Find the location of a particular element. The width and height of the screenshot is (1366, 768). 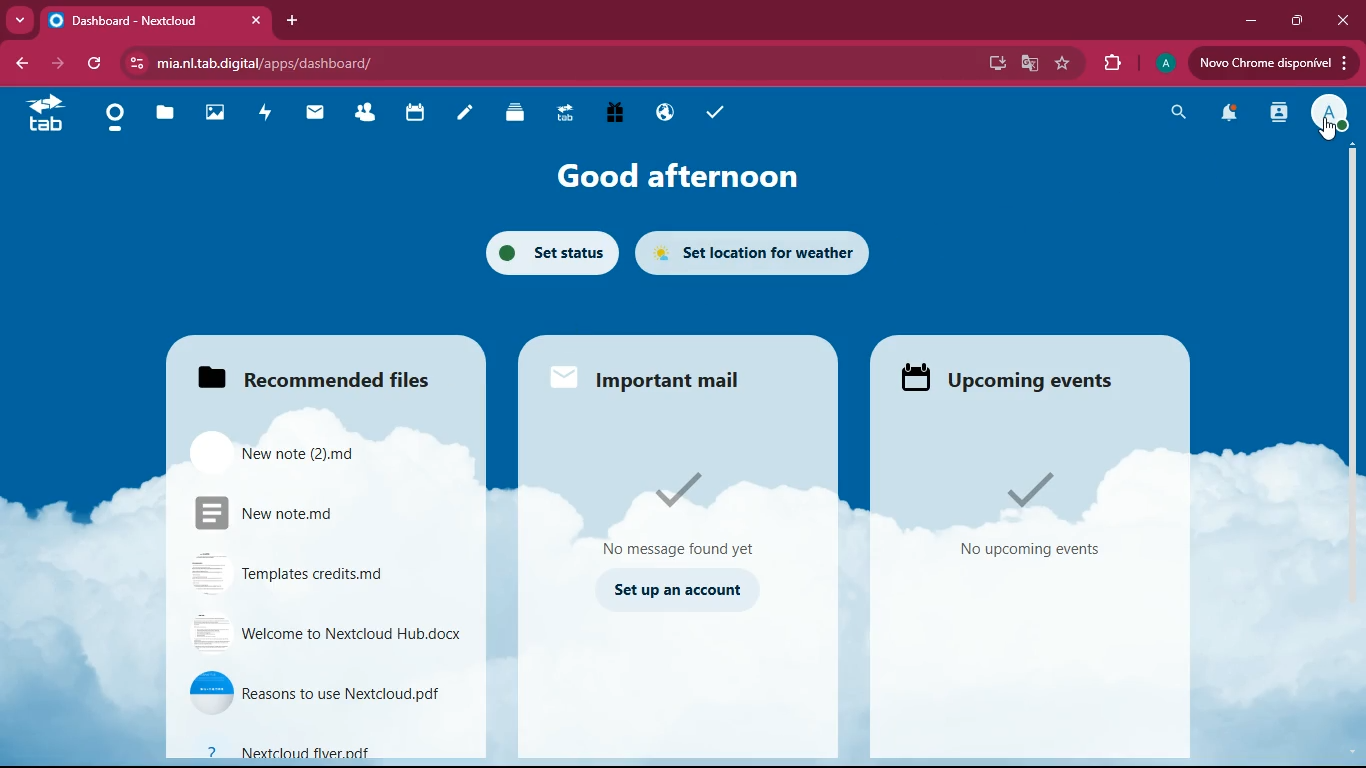

update is located at coordinates (1272, 63).